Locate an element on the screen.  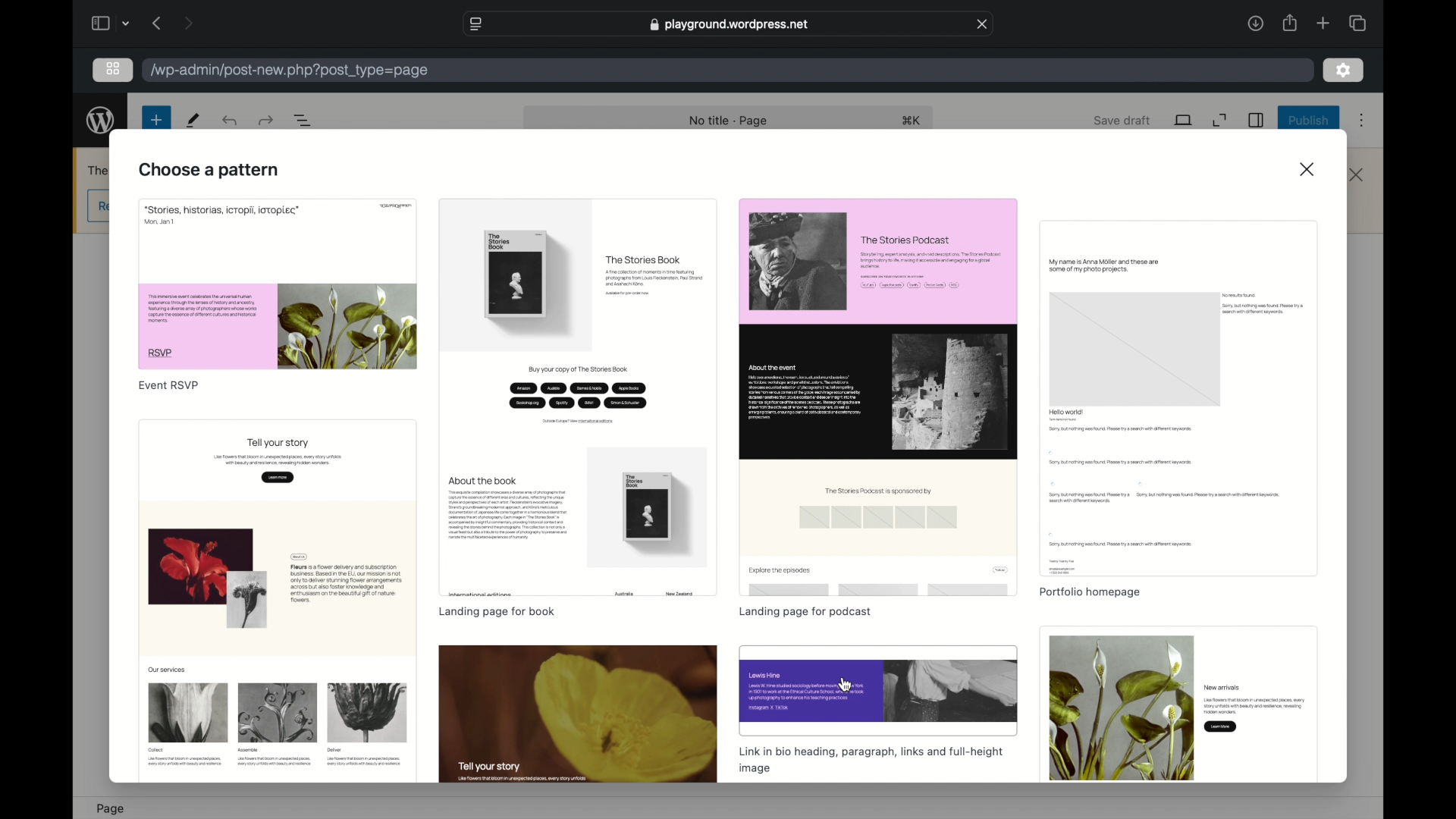
view is located at coordinates (1184, 120).